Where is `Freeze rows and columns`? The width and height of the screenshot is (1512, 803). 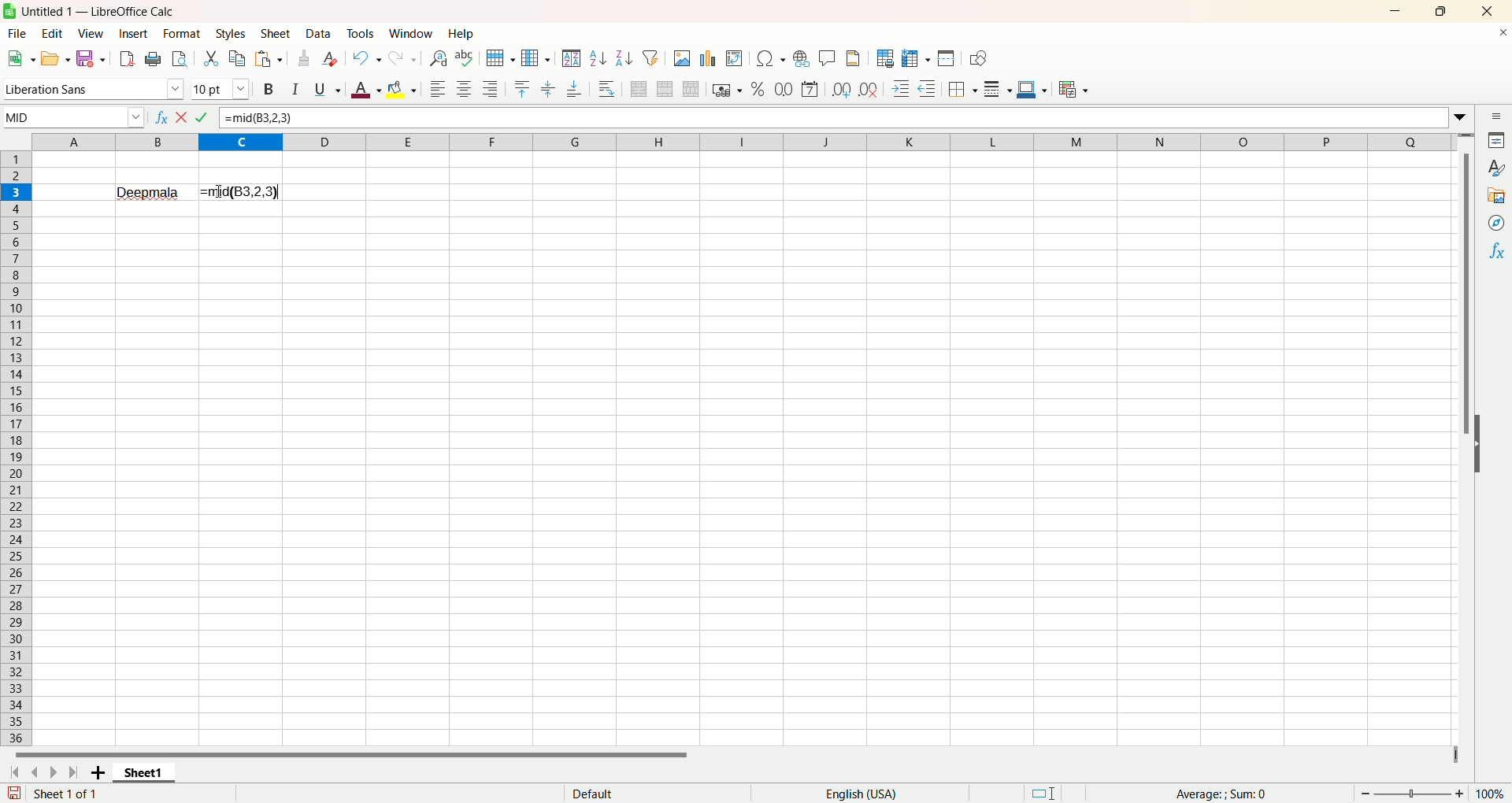
Freeze rows and columns is located at coordinates (917, 59).